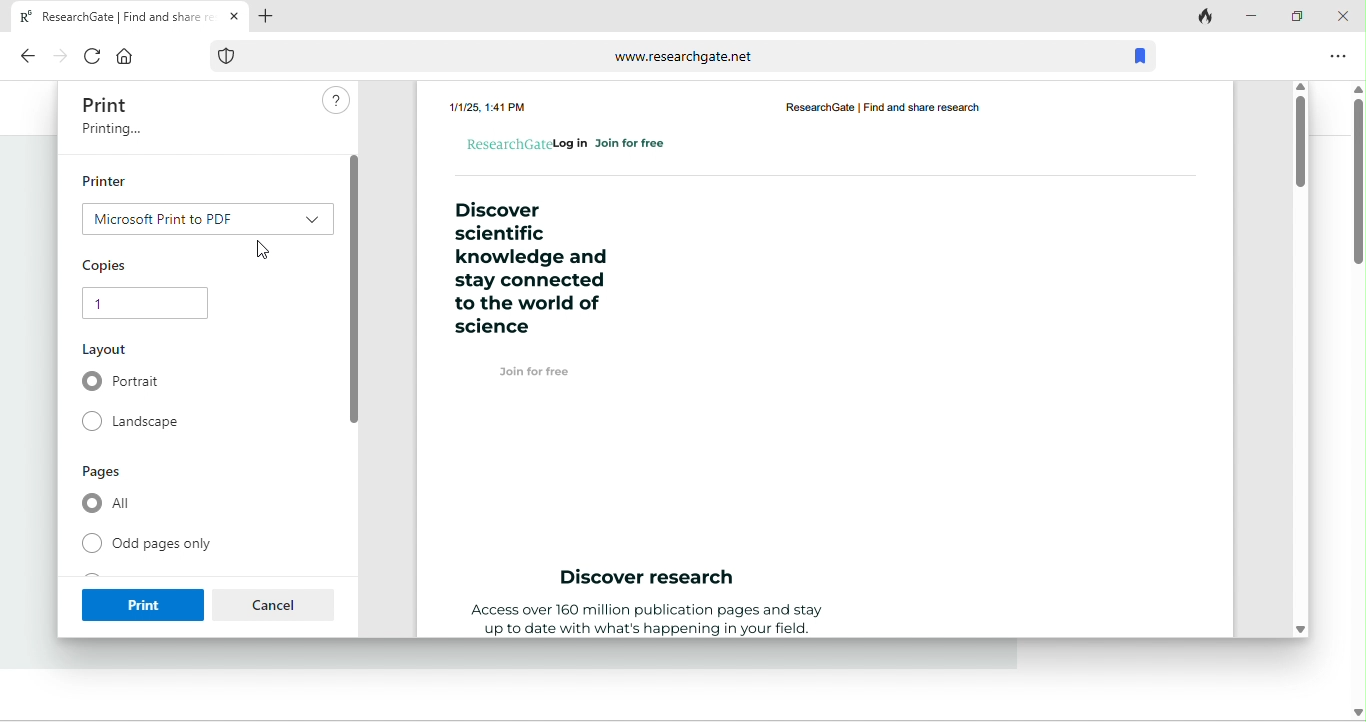  What do you see at coordinates (127, 15) in the screenshot?
I see `Current page` at bounding box center [127, 15].